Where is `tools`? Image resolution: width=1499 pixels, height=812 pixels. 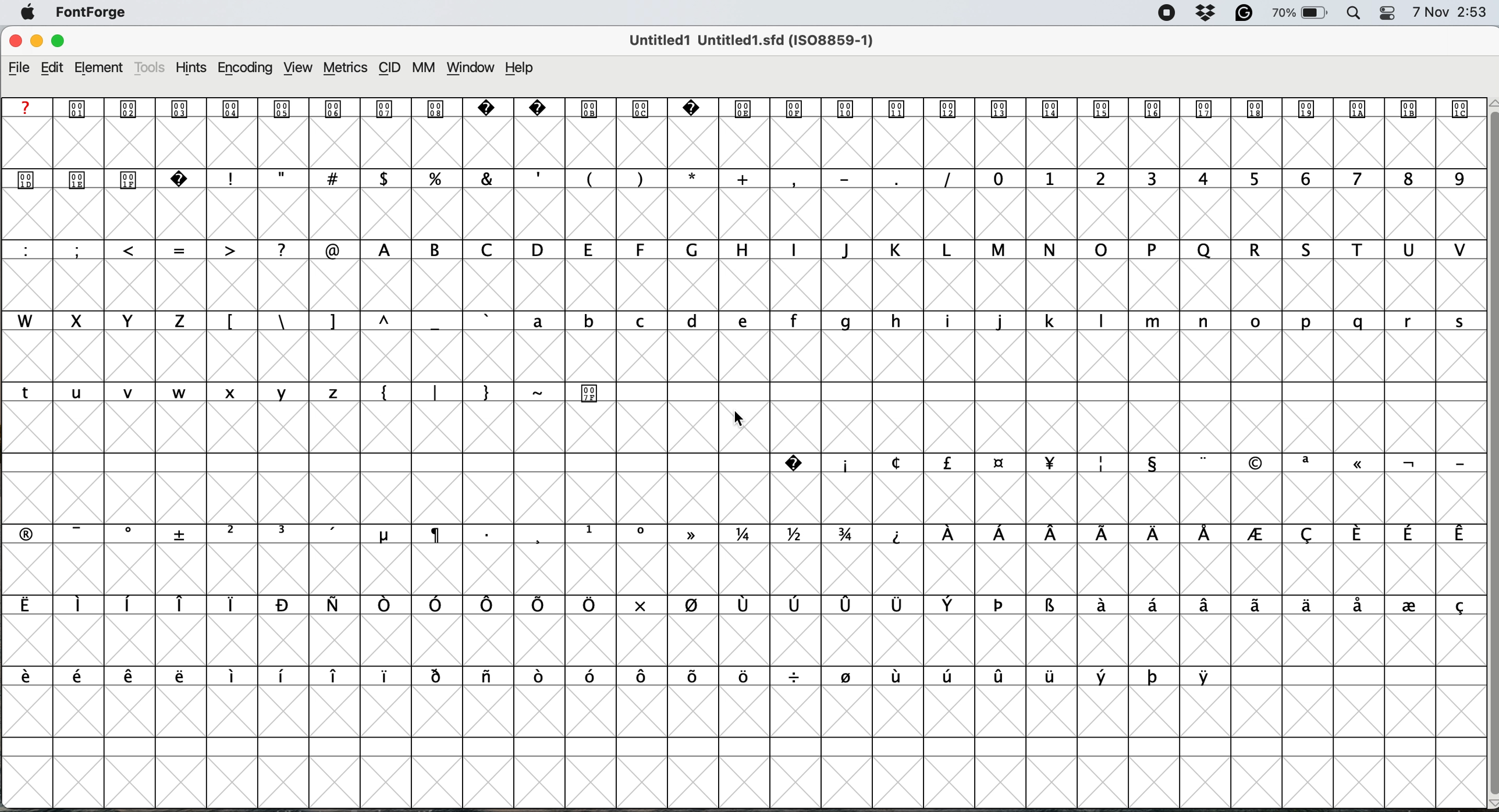
tools is located at coordinates (151, 67).